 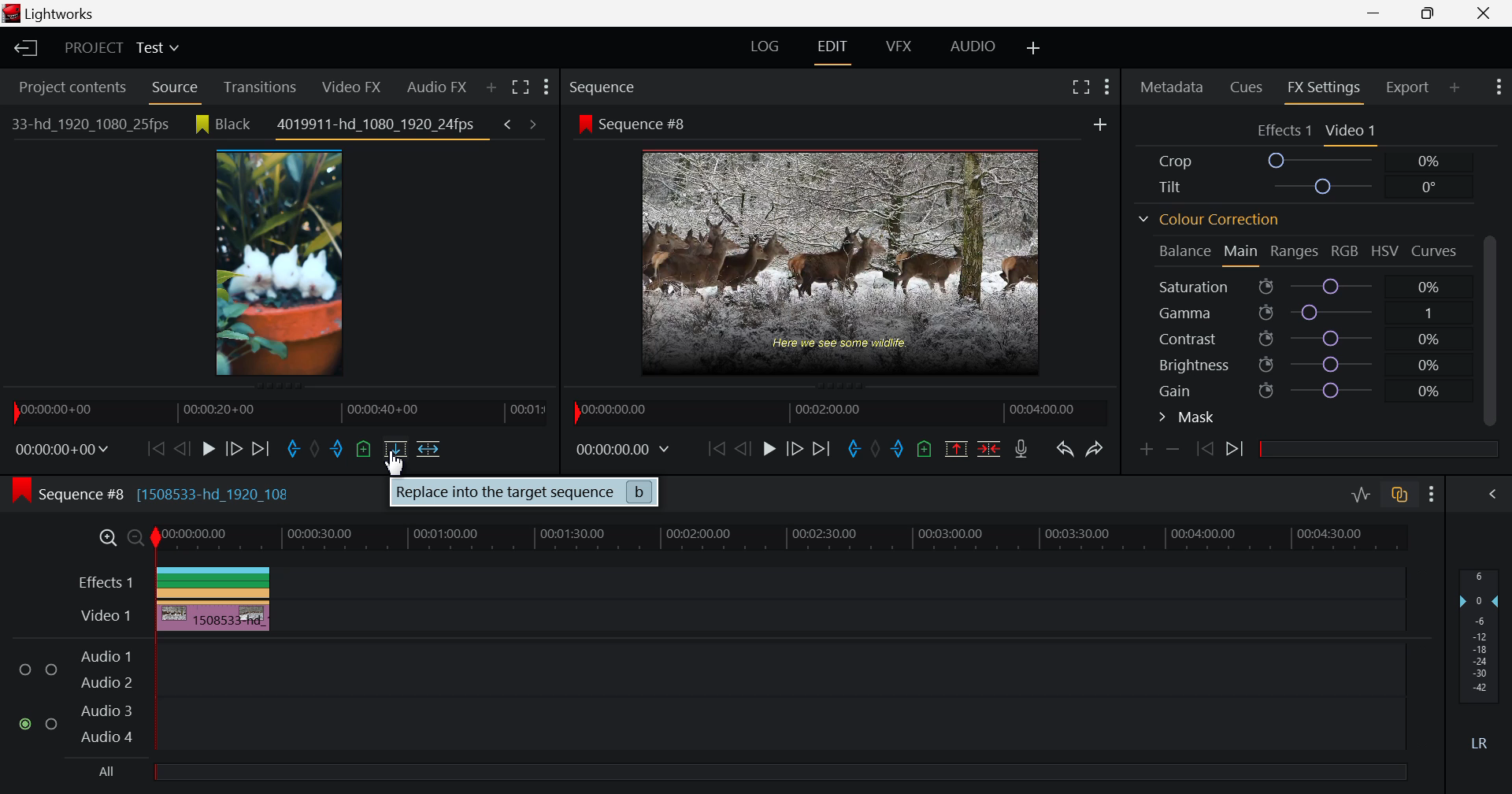 I want to click on Timeline Zoom In, so click(x=106, y=540).